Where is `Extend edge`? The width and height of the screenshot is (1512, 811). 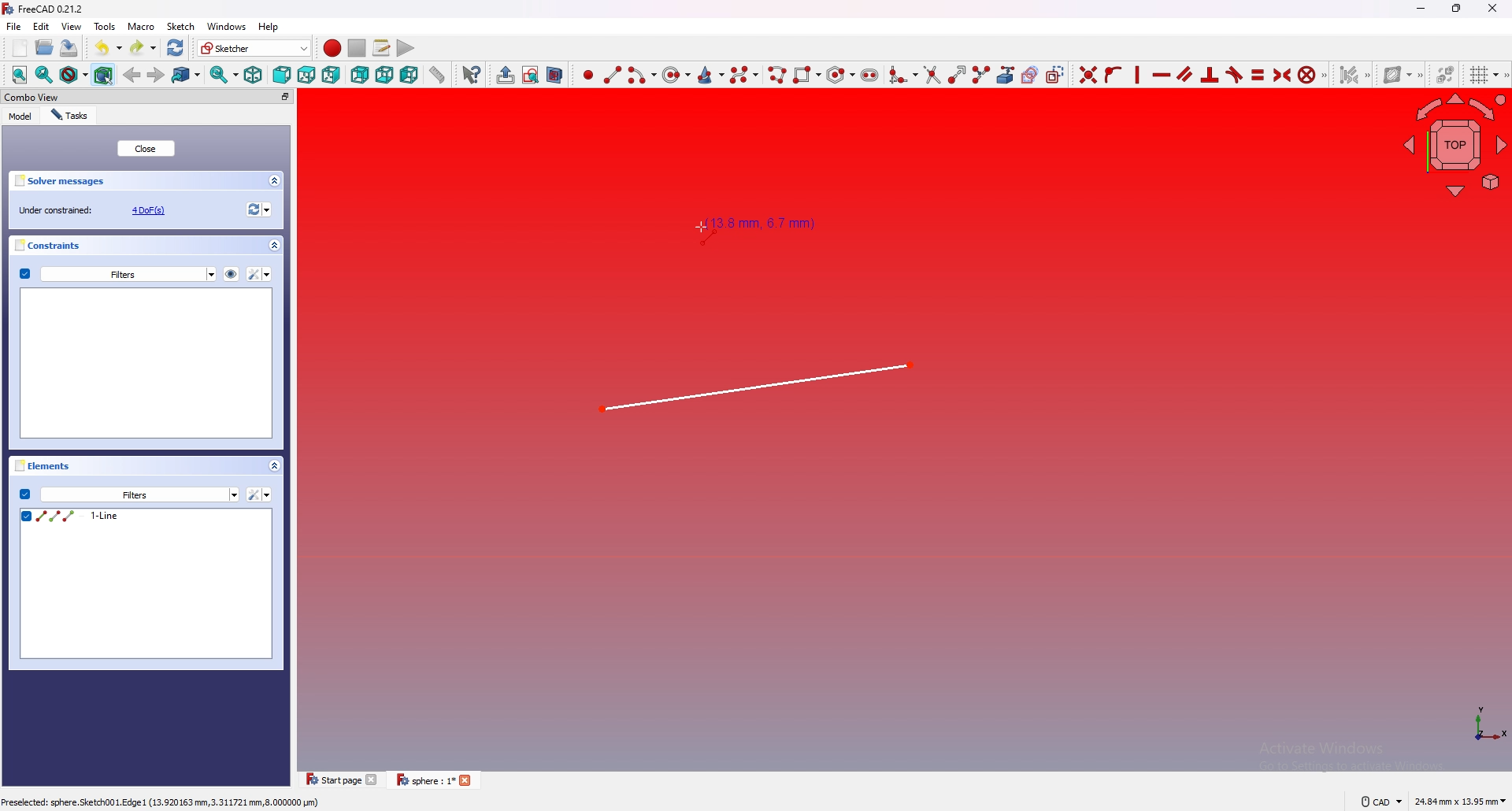 Extend edge is located at coordinates (955, 74).